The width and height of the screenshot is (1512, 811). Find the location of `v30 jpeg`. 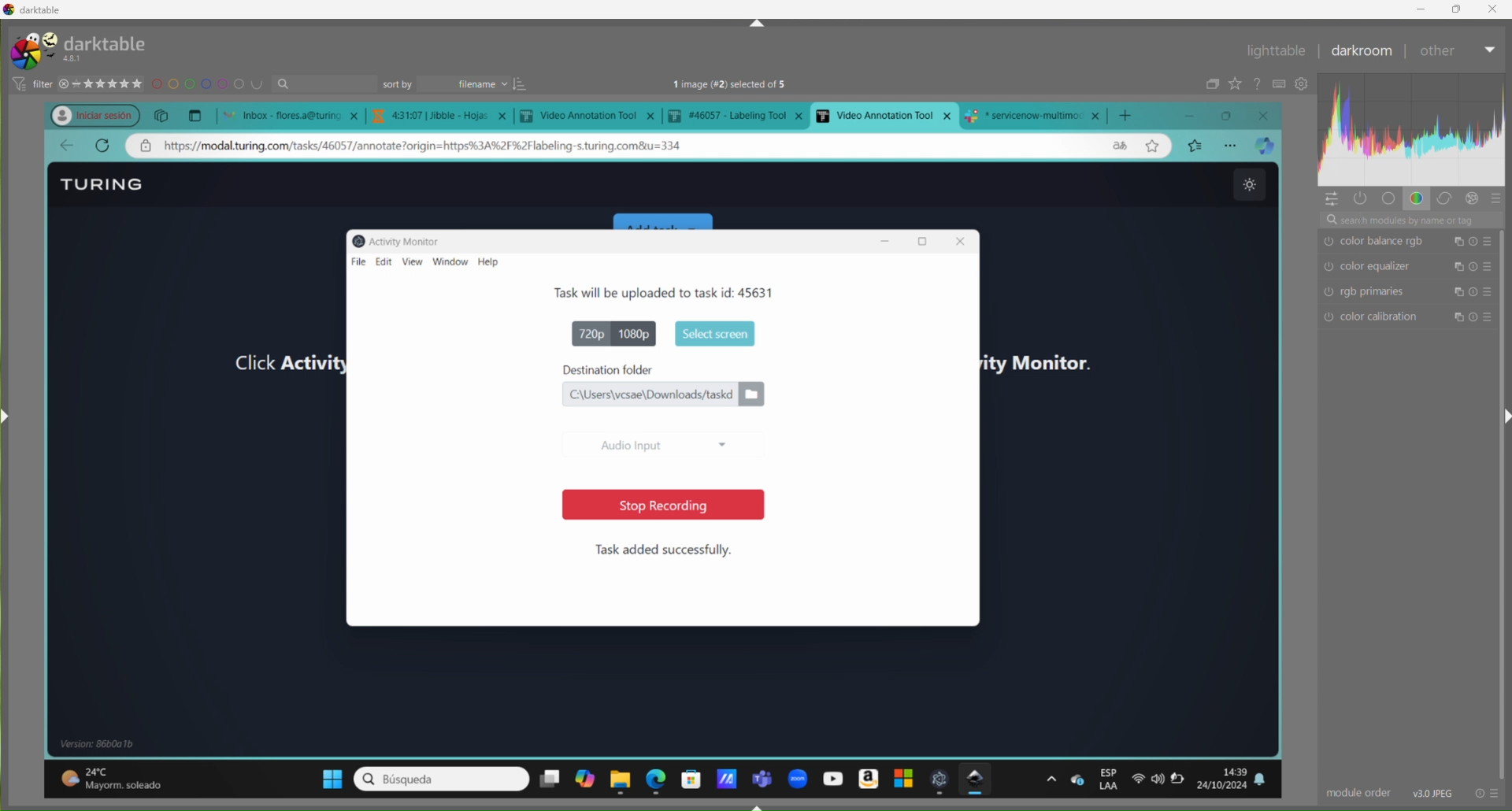

v30 jpeg is located at coordinates (1429, 792).